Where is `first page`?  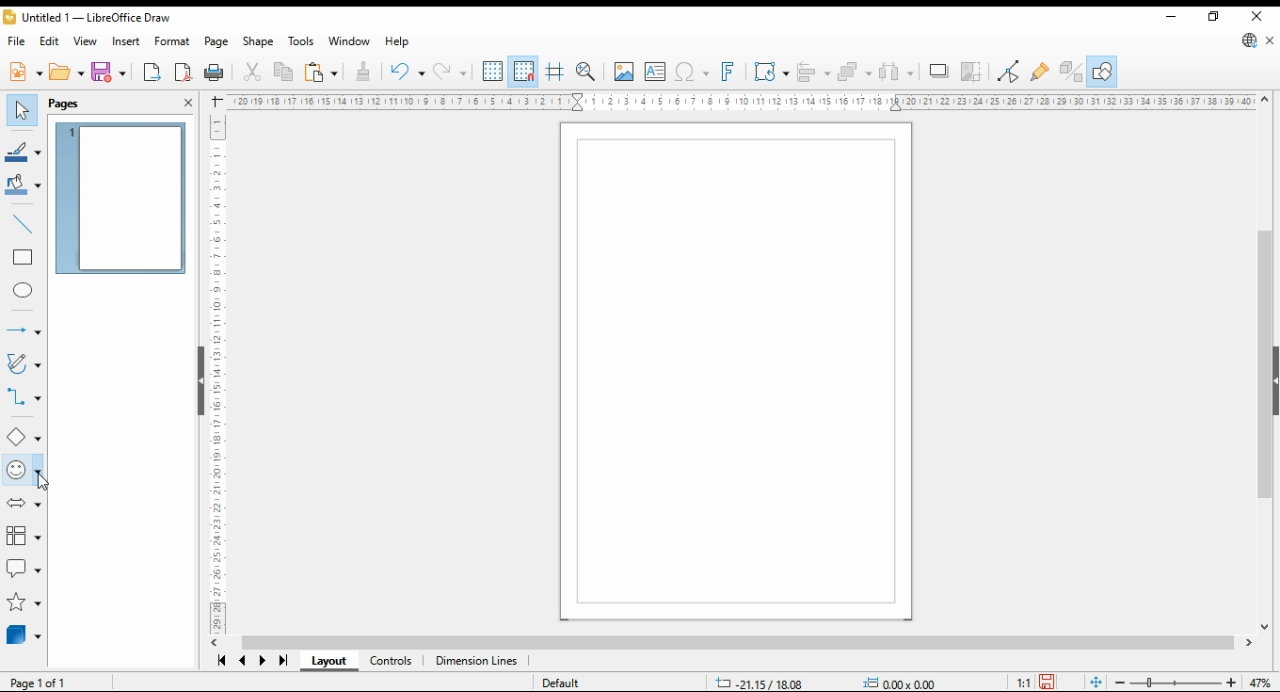
first page is located at coordinates (222, 661).